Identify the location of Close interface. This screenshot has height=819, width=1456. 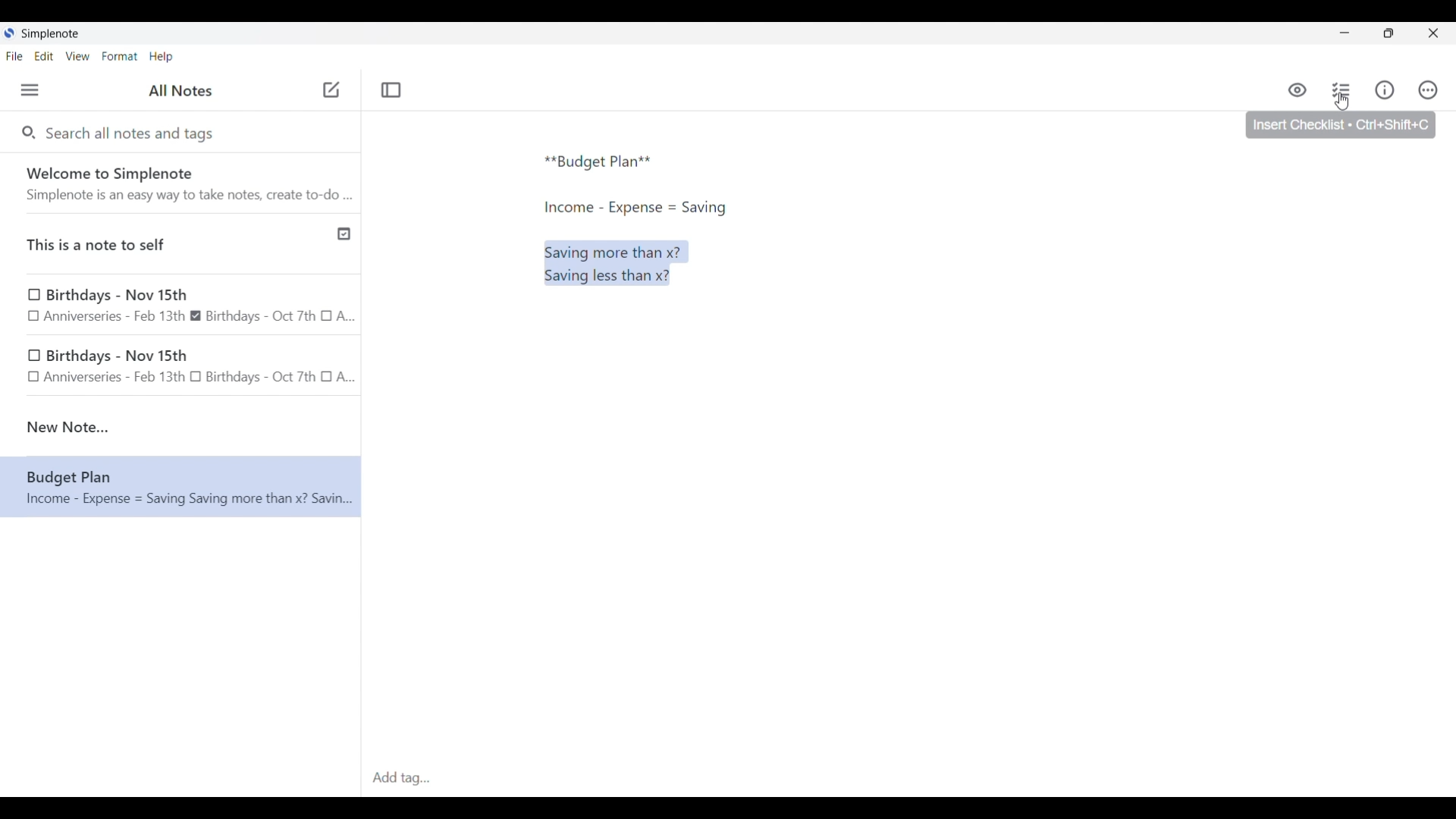
(1433, 33).